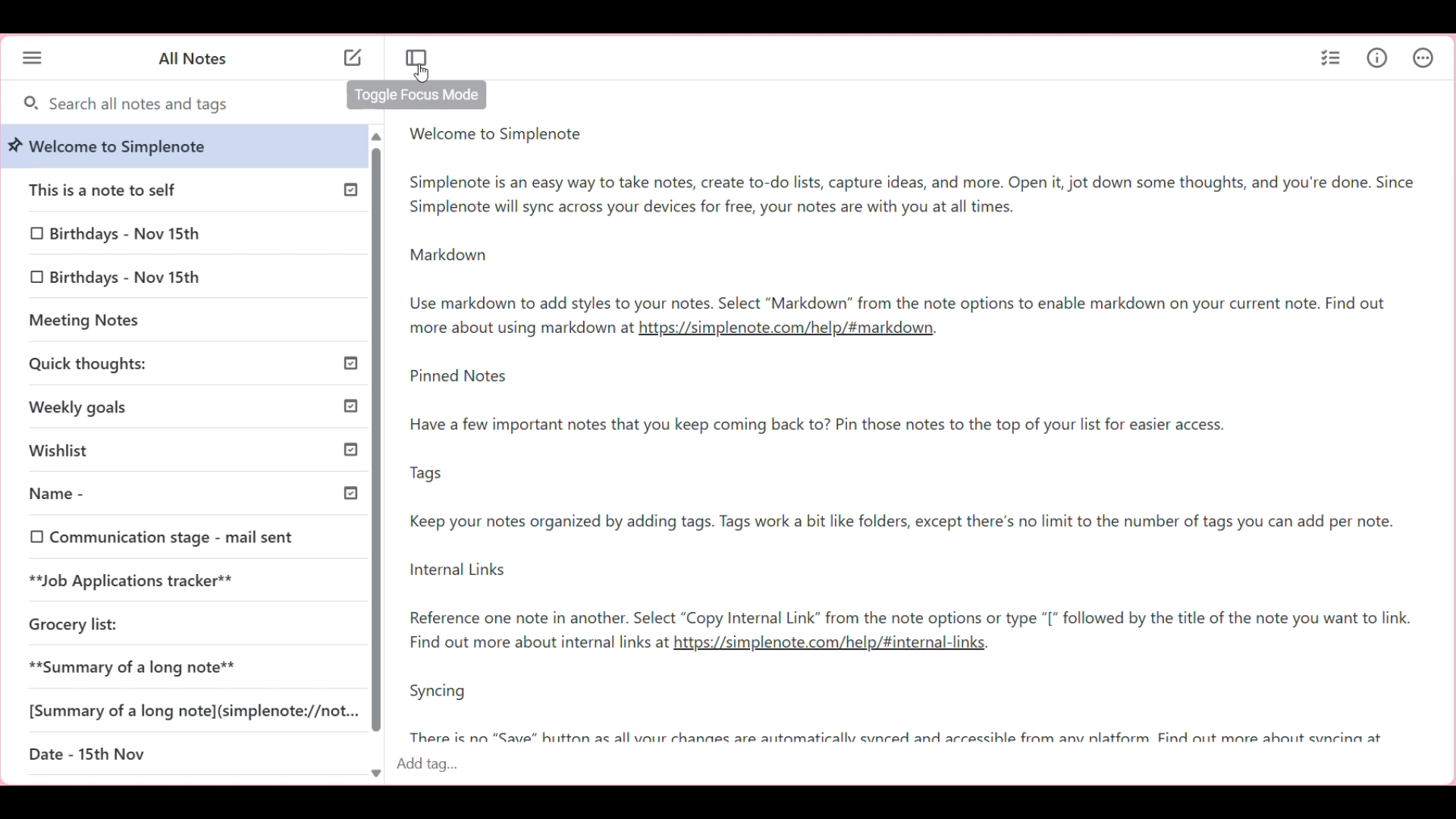 This screenshot has width=1456, height=819. I want to click on Click to add note, so click(353, 58).